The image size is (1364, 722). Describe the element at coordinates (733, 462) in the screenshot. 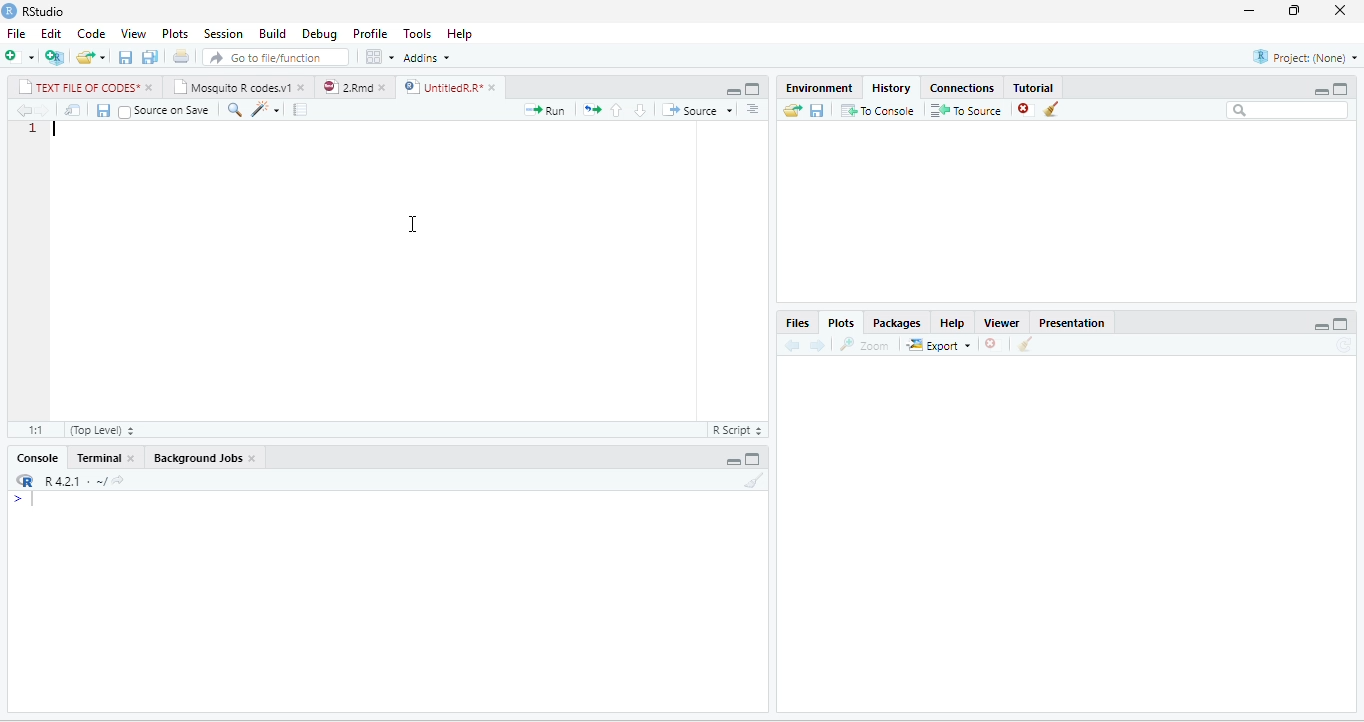

I see `minimize` at that location.